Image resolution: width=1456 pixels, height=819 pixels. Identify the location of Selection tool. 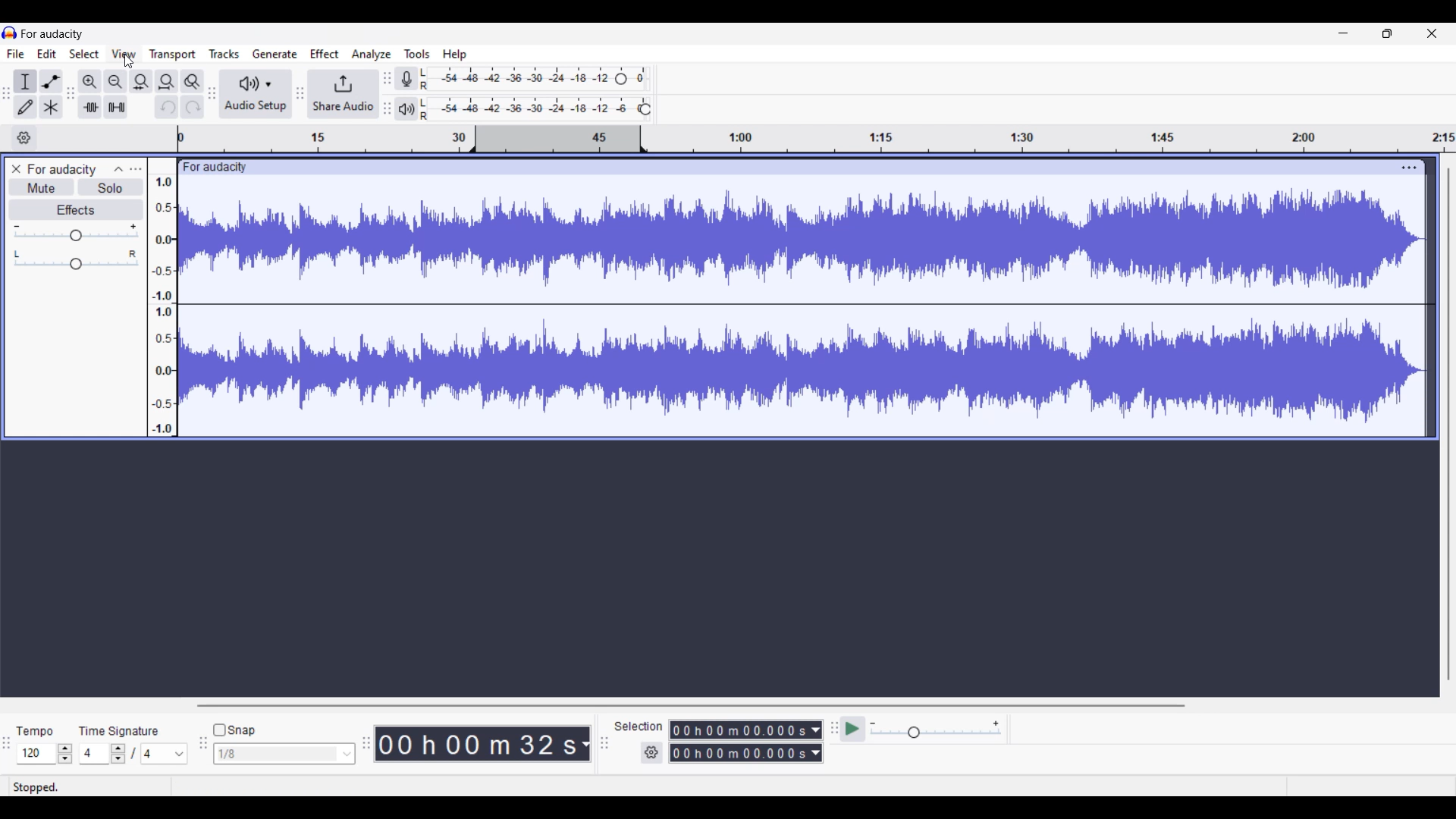
(26, 81).